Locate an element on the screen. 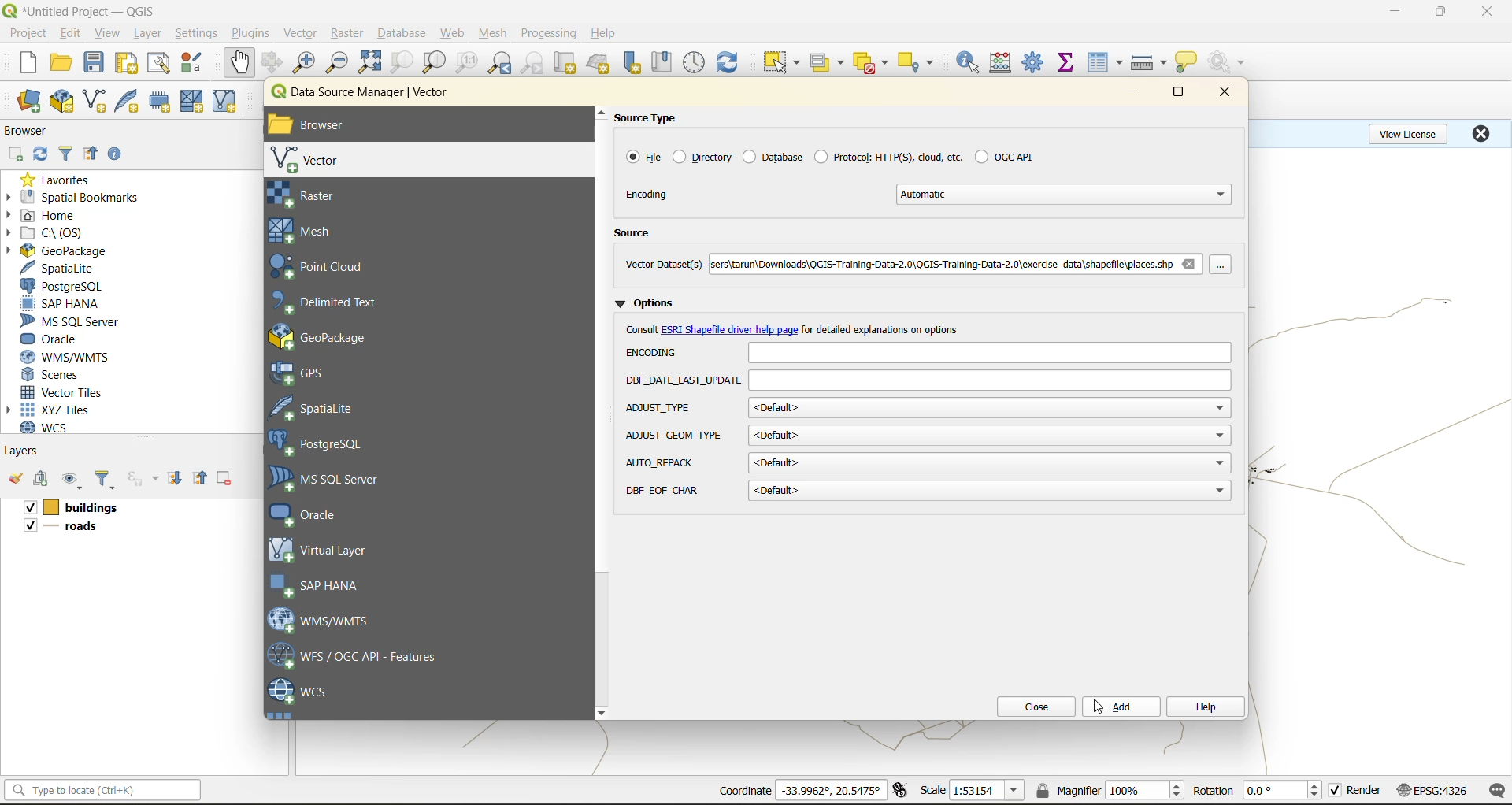 This screenshot has width=1512, height=805. toggle extents is located at coordinates (902, 789).